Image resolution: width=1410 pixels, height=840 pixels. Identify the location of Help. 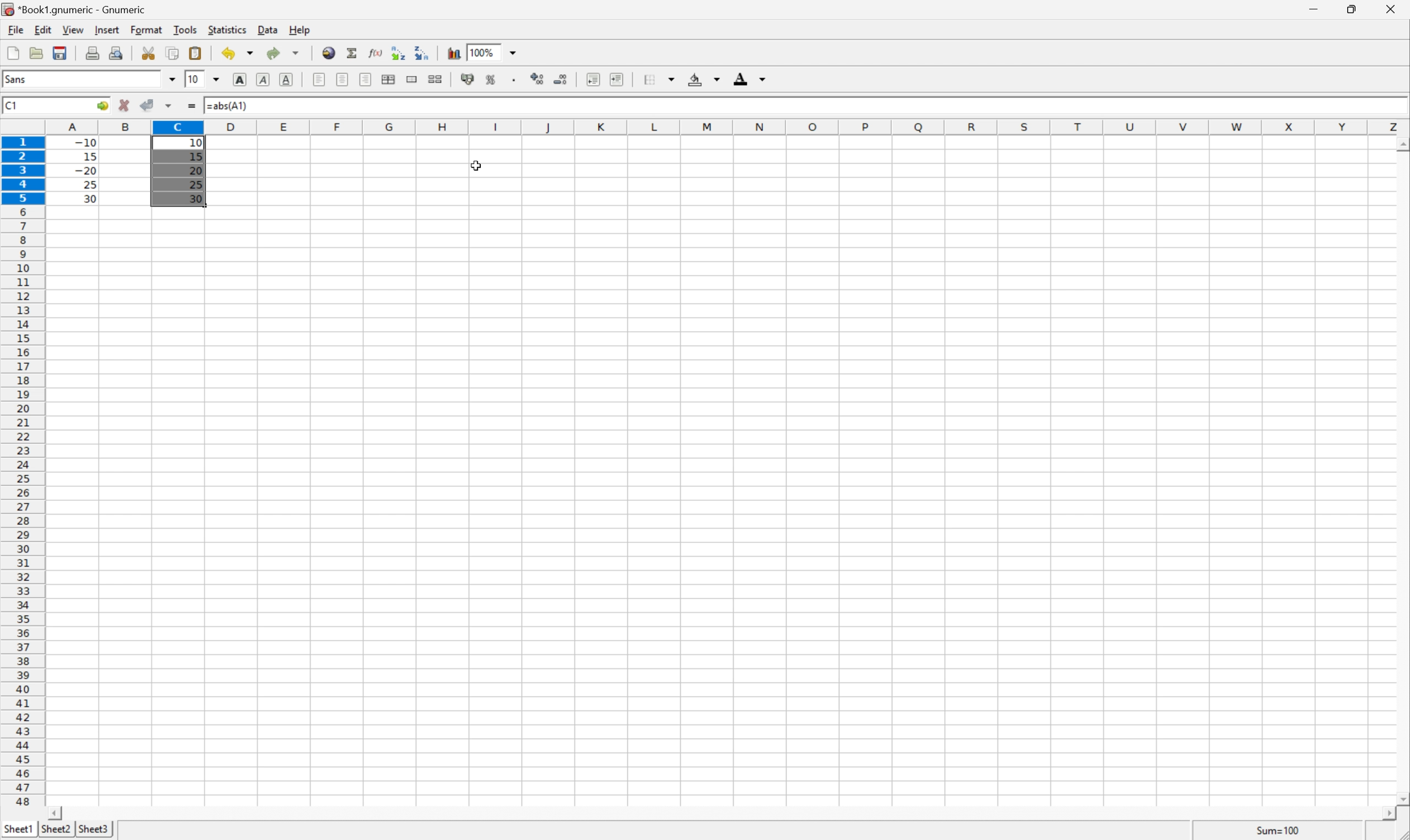
(300, 31).